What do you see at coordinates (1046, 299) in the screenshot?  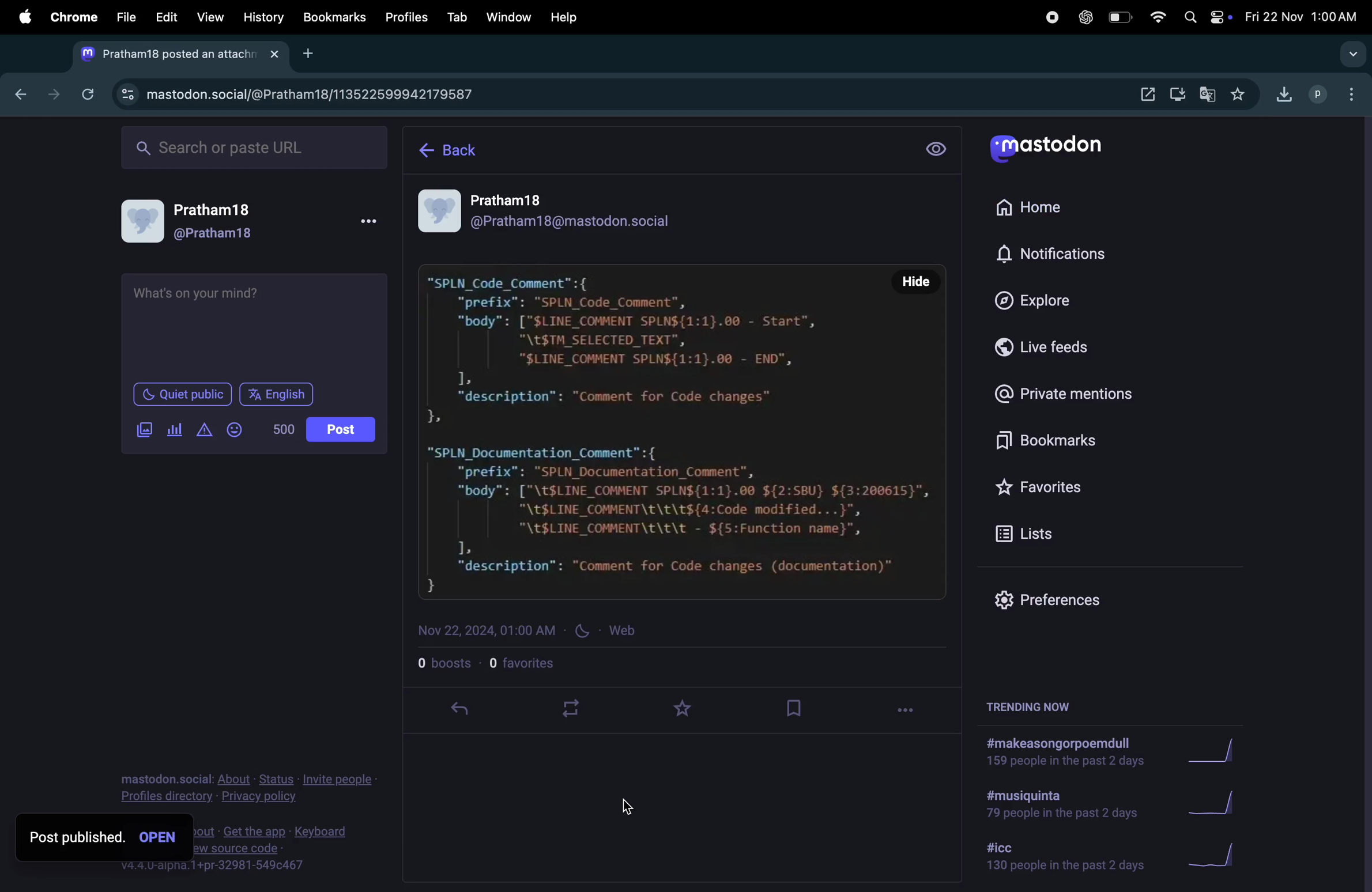 I see `explore` at bounding box center [1046, 299].